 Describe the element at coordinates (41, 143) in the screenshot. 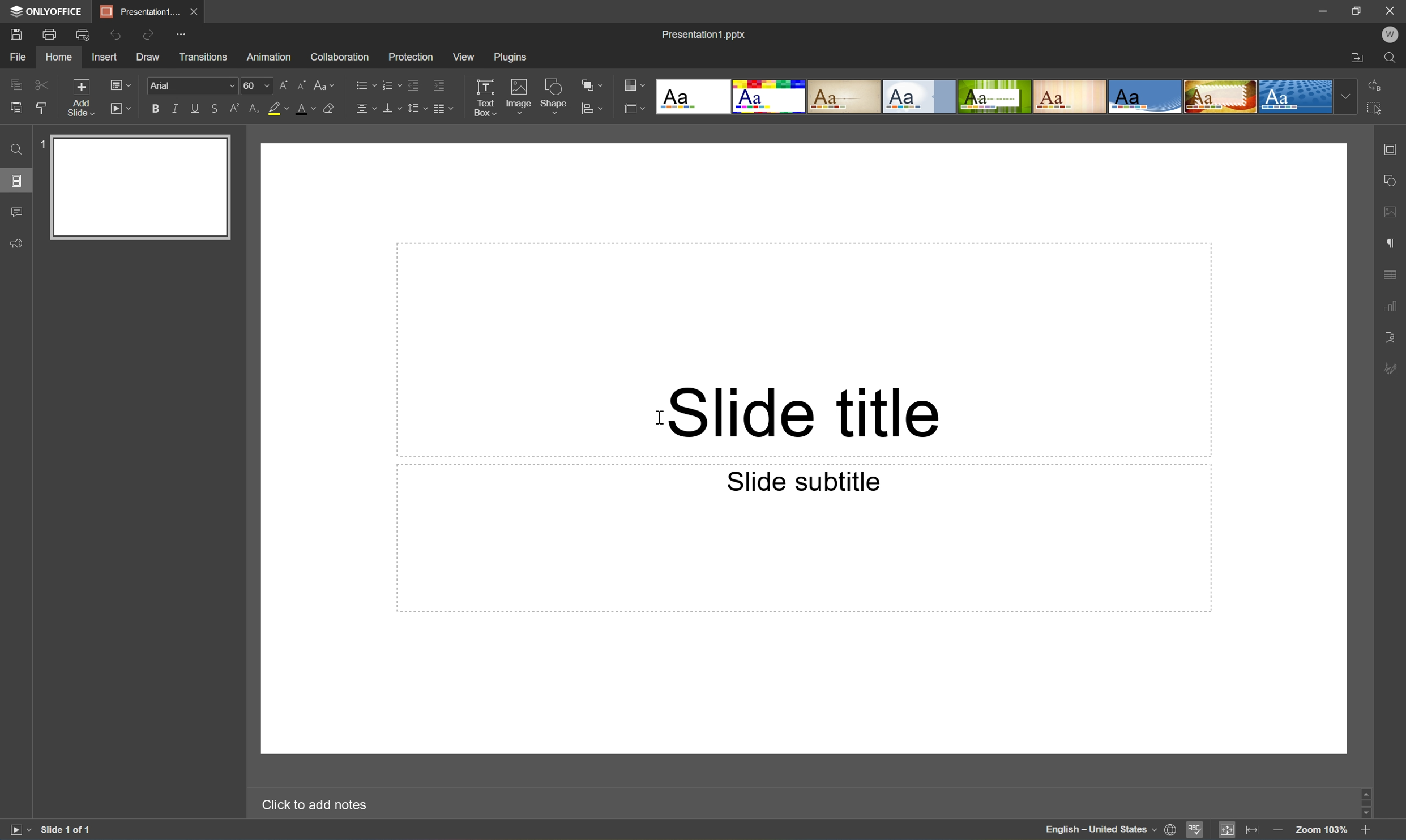

I see `1` at that location.